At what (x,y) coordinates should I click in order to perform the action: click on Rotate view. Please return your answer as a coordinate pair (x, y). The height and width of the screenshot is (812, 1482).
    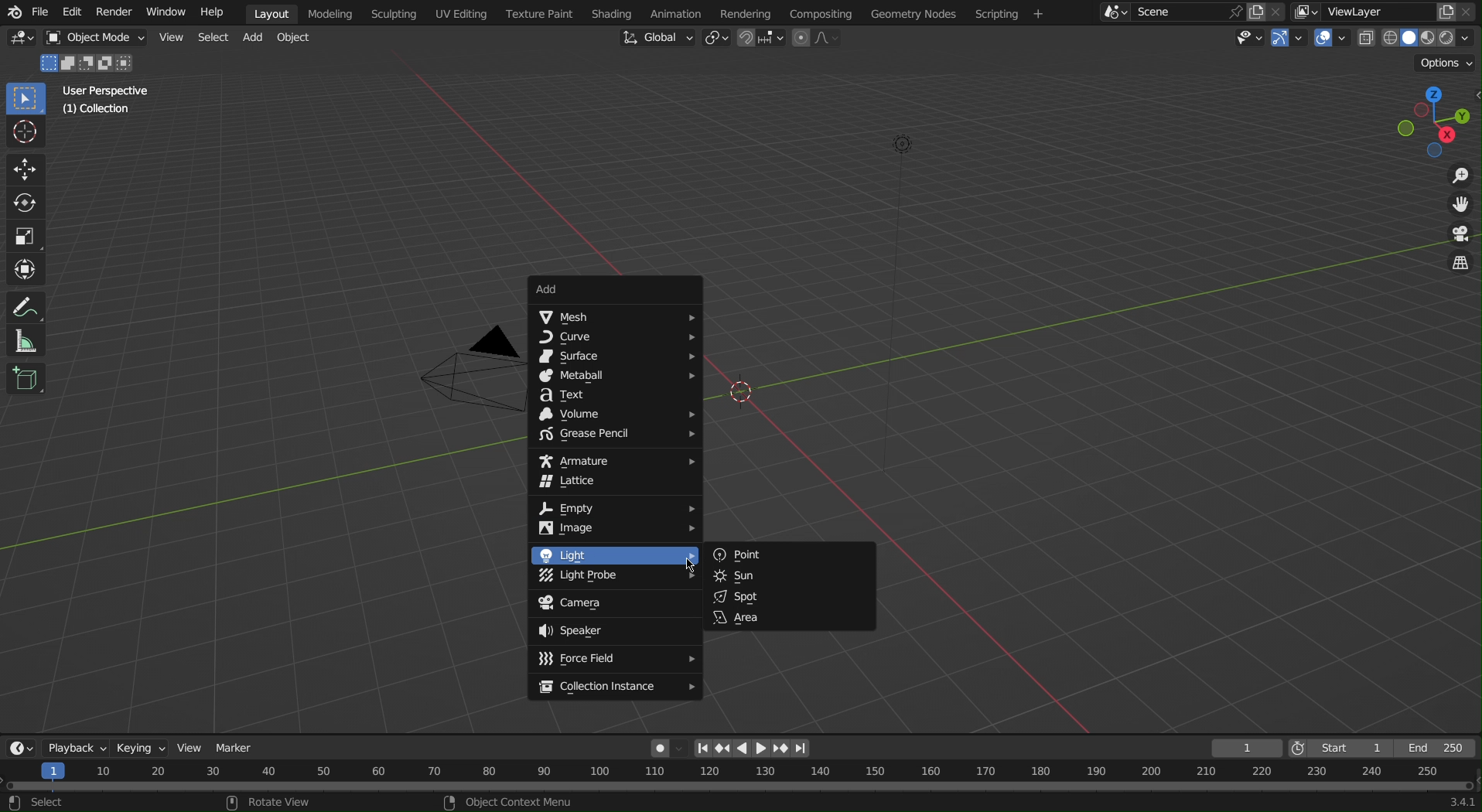
    Looking at the image, I should click on (286, 802).